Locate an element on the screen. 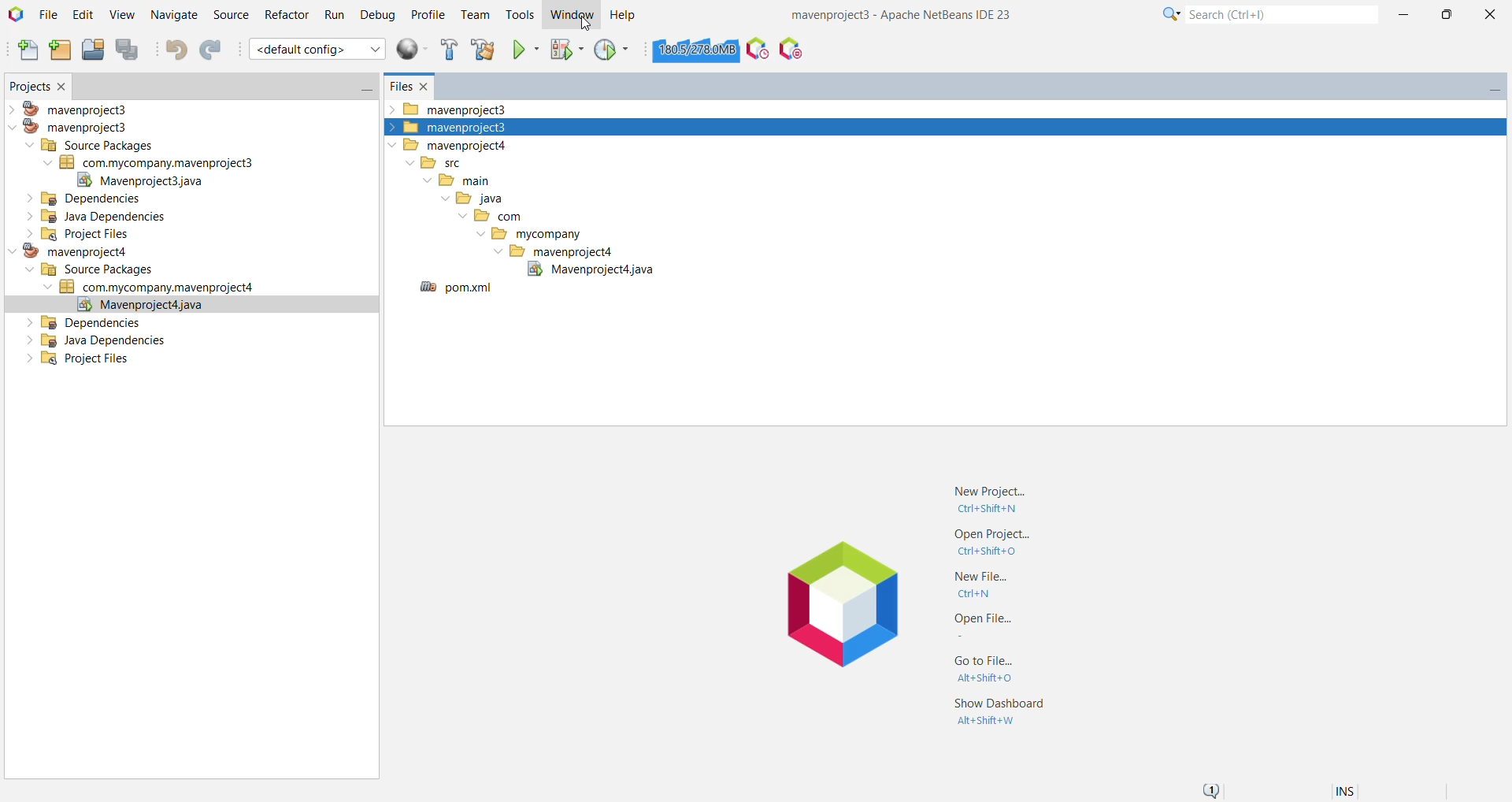 Image resolution: width=1512 pixels, height=802 pixels. Maximize is located at coordinates (1446, 15).